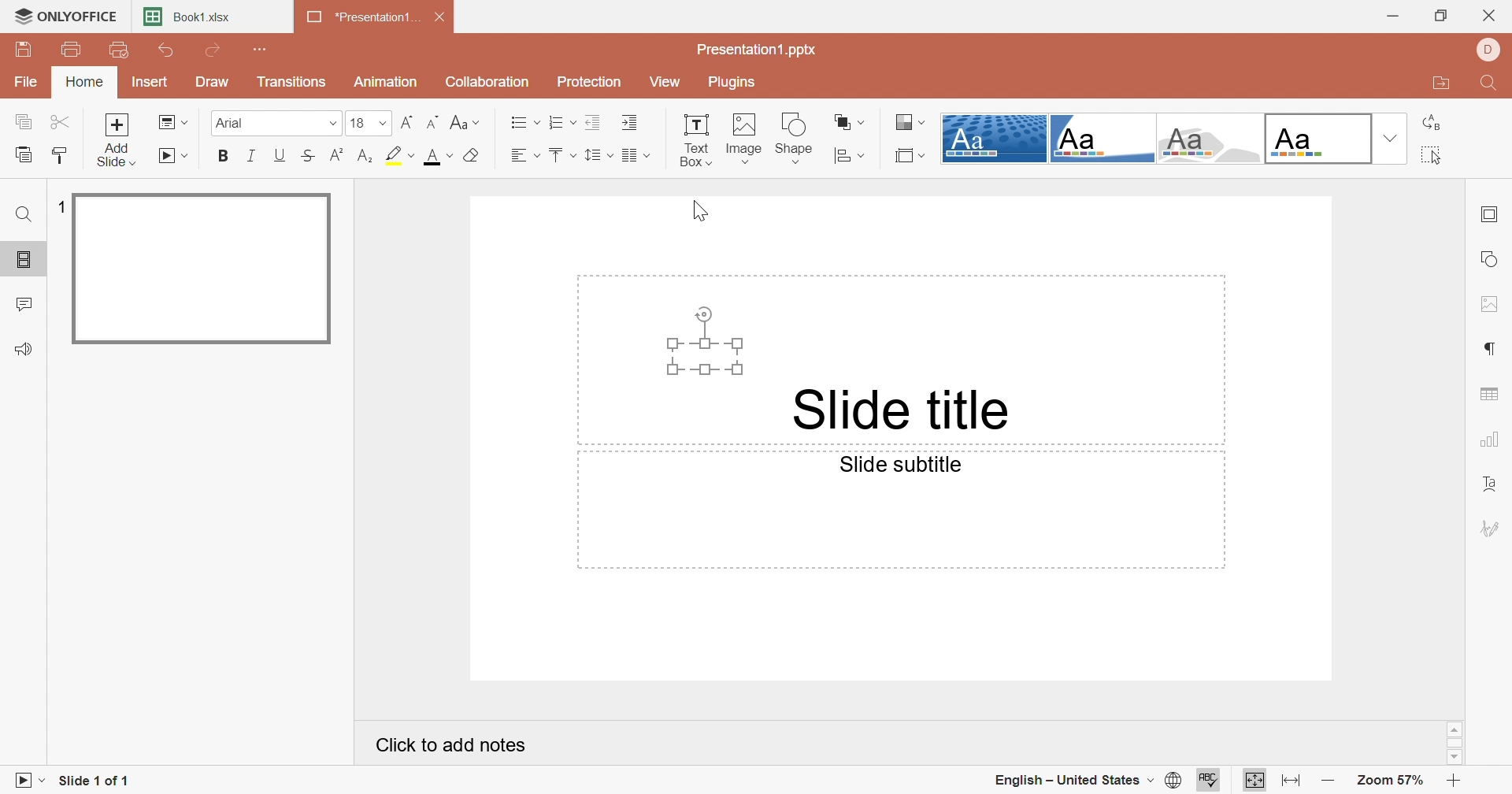 Image resolution: width=1512 pixels, height=794 pixels. Describe the element at coordinates (407, 123) in the screenshot. I see `Increment font size` at that location.